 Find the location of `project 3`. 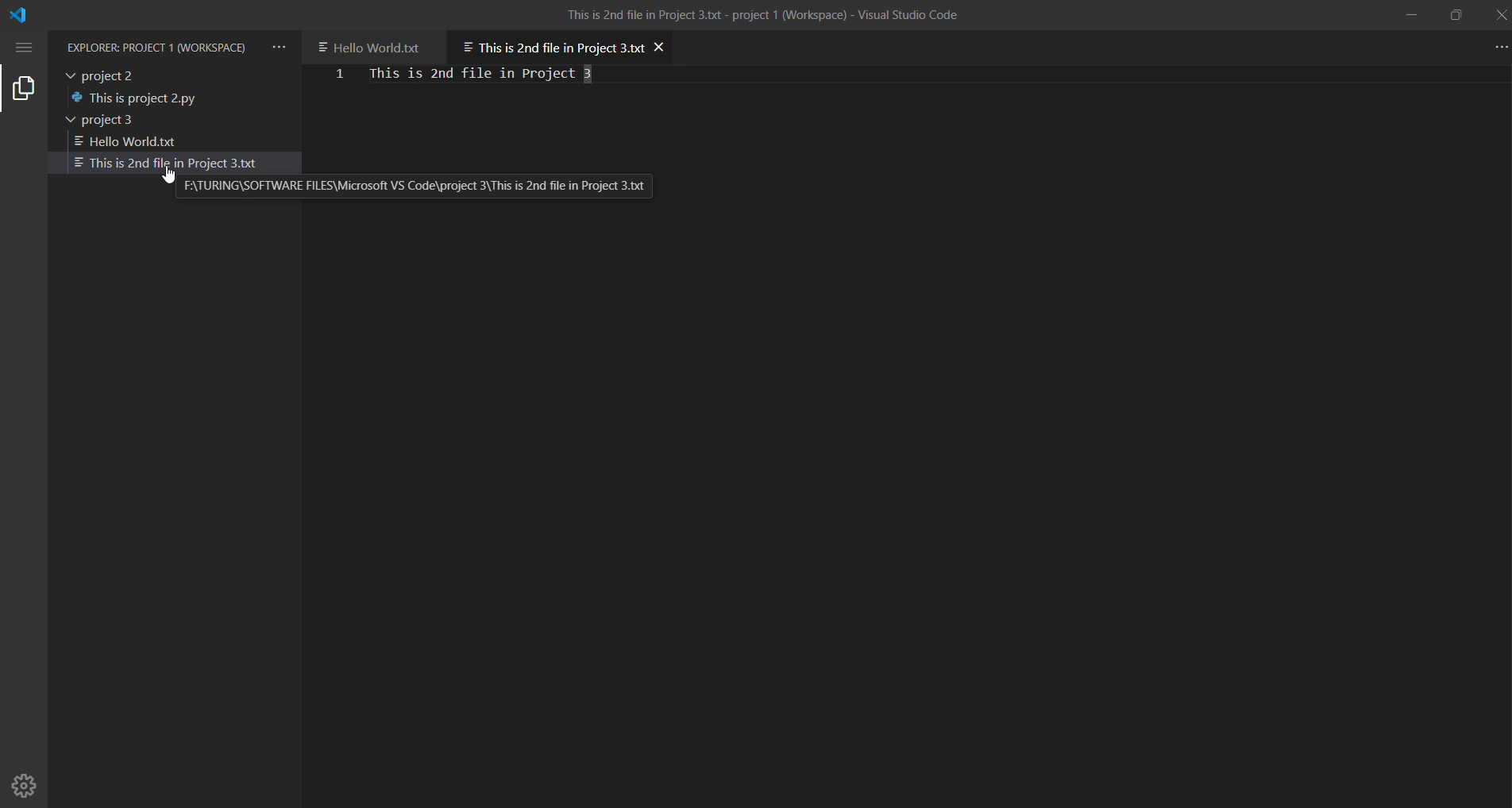

project 3 is located at coordinates (125, 121).